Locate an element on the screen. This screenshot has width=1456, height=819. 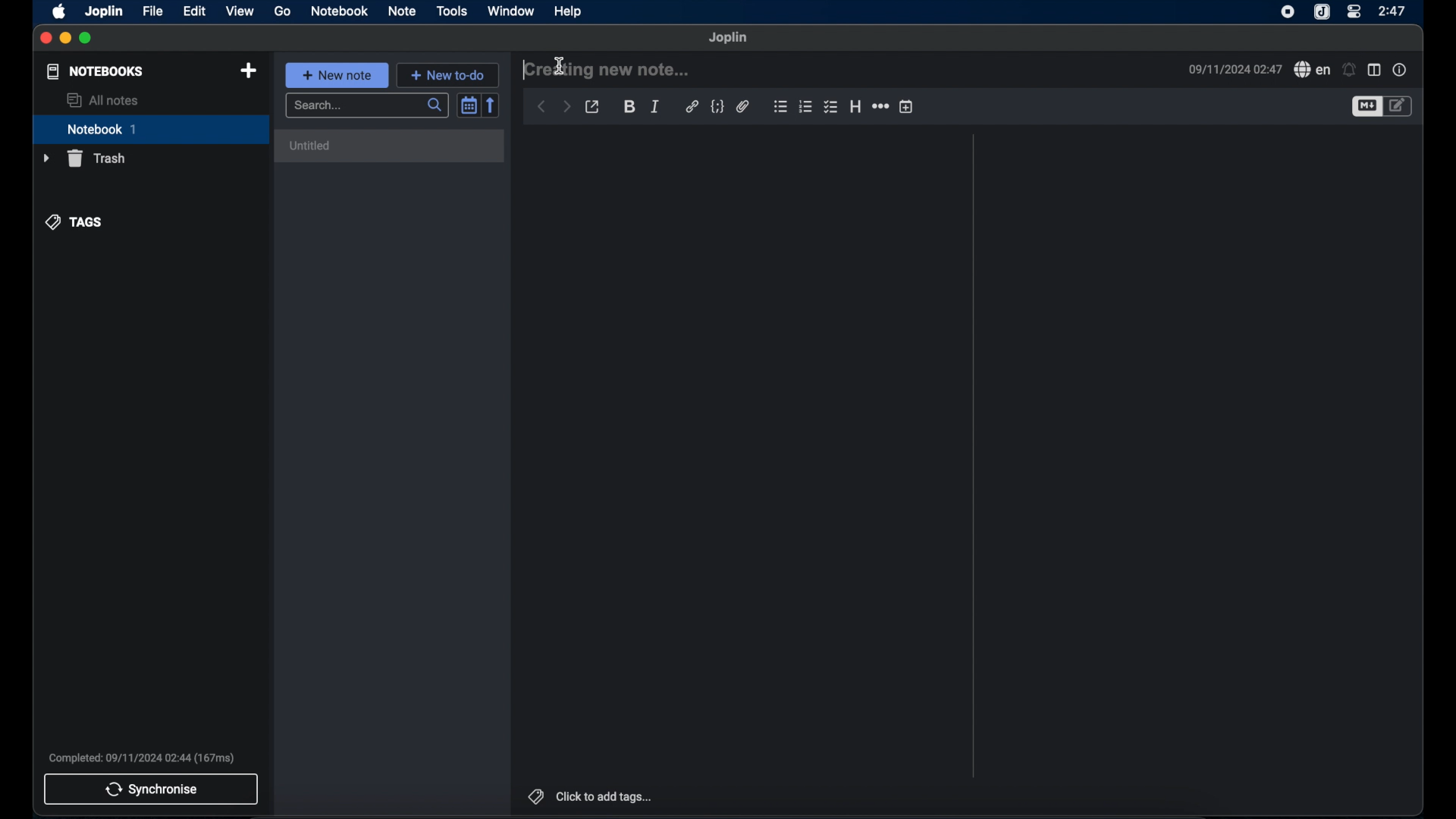
new notebook is located at coordinates (248, 71).